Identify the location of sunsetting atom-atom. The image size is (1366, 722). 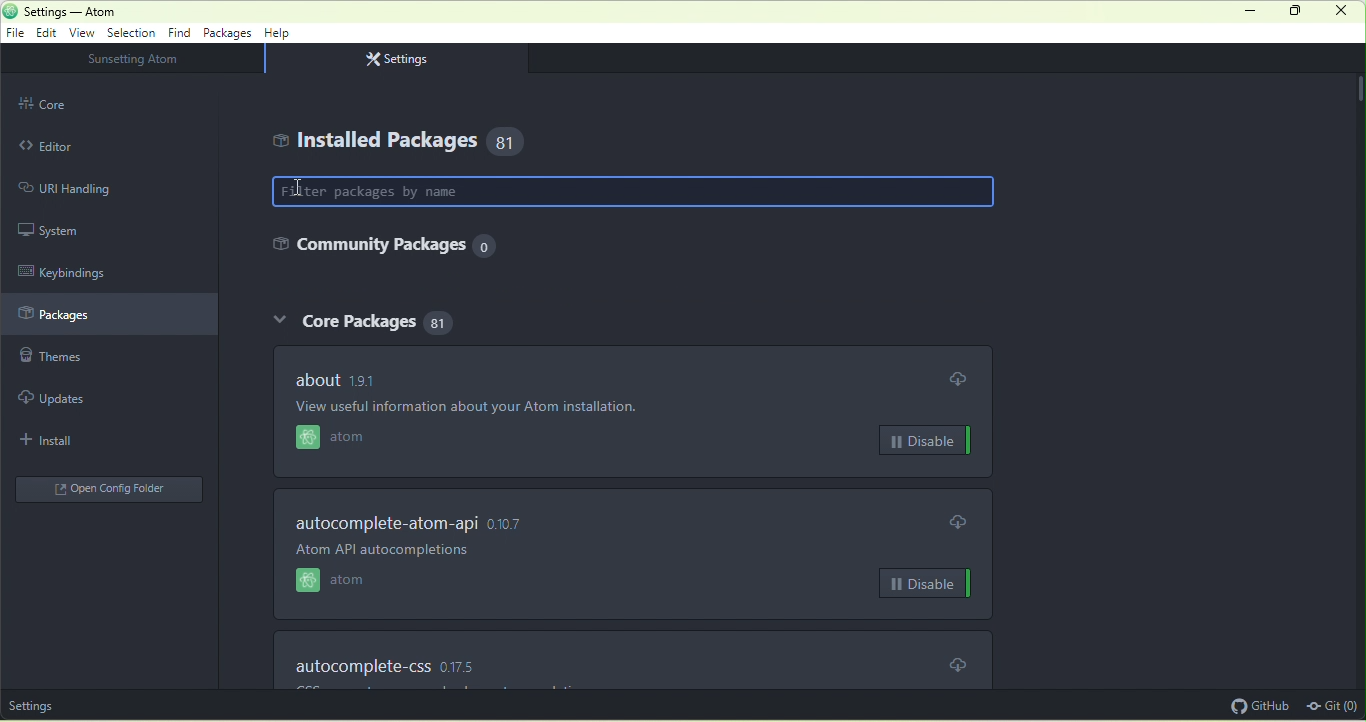
(134, 13).